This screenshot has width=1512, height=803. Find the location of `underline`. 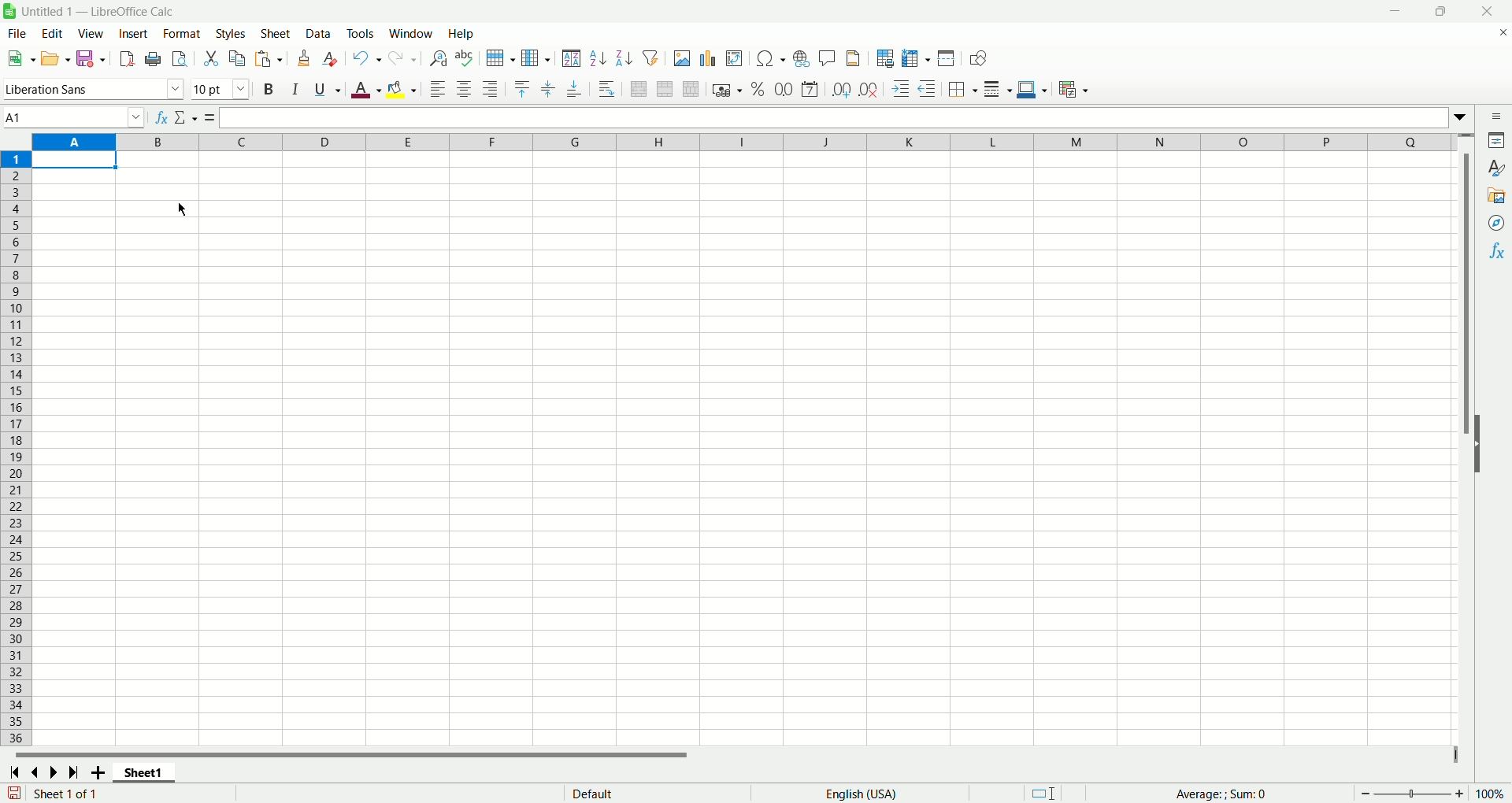

underline is located at coordinates (324, 92).